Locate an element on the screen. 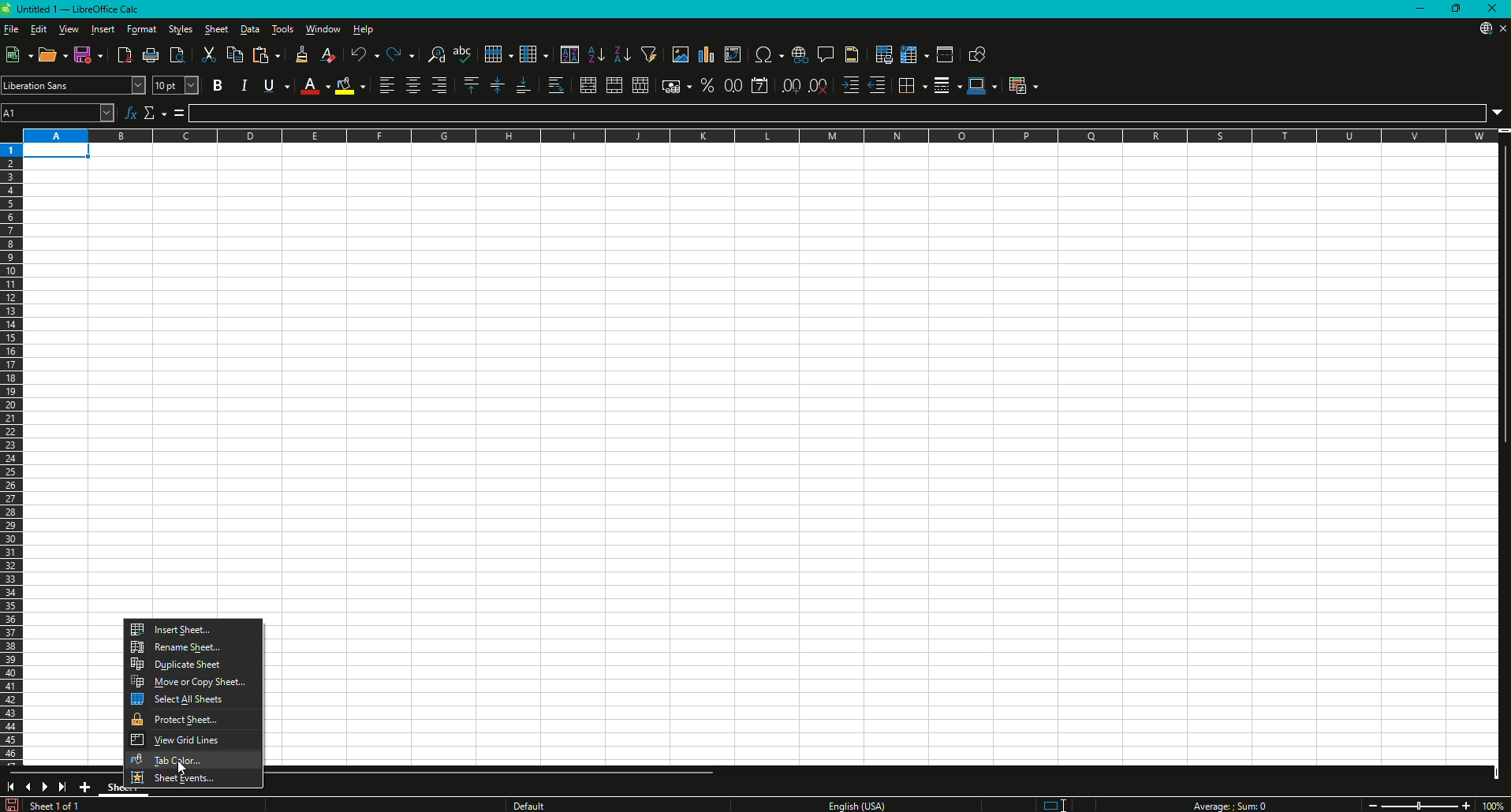 This screenshot has height=812, width=1511. Zoom out is located at coordinates (1372, 806).